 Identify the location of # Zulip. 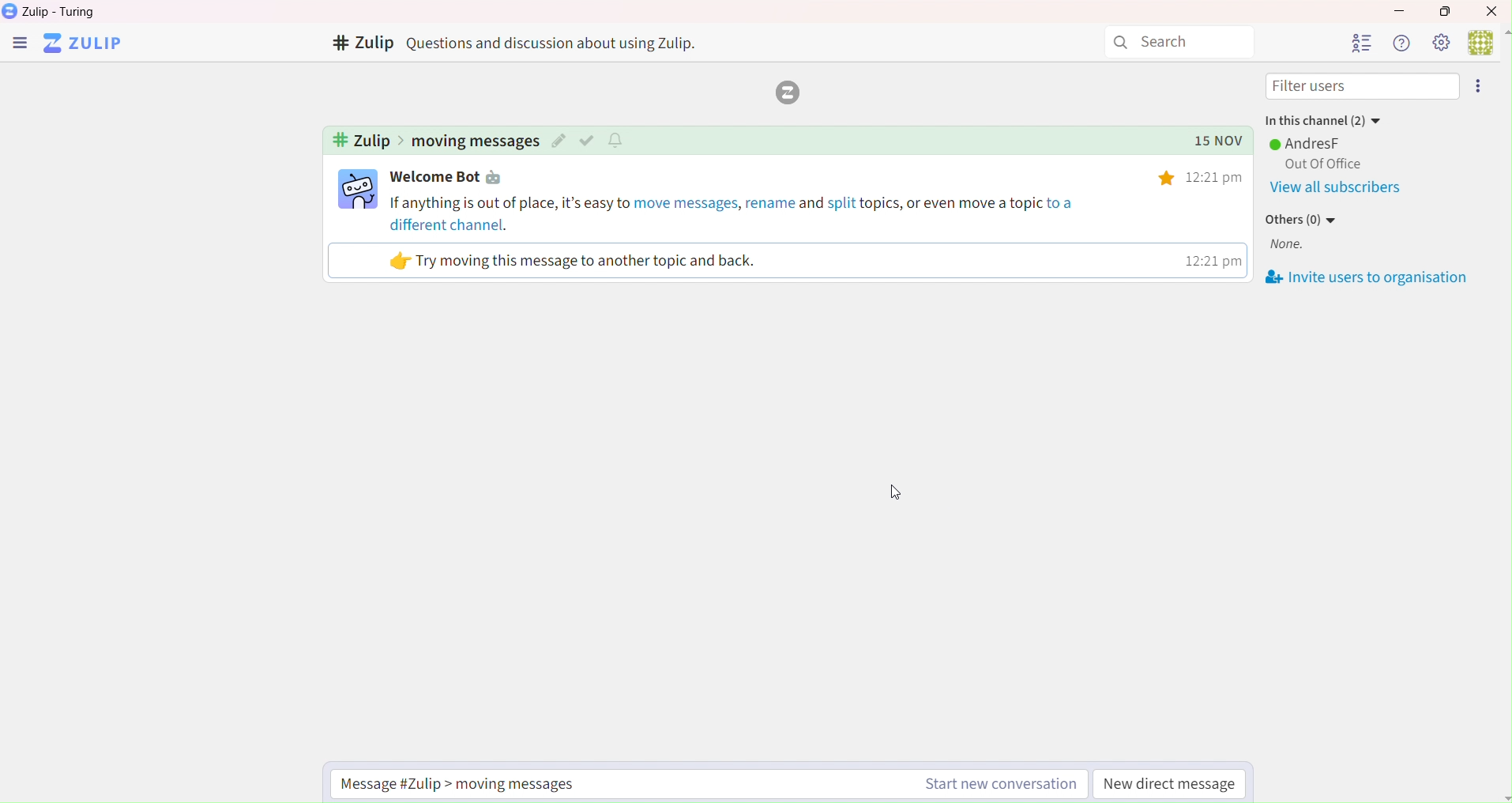
(361, 44).